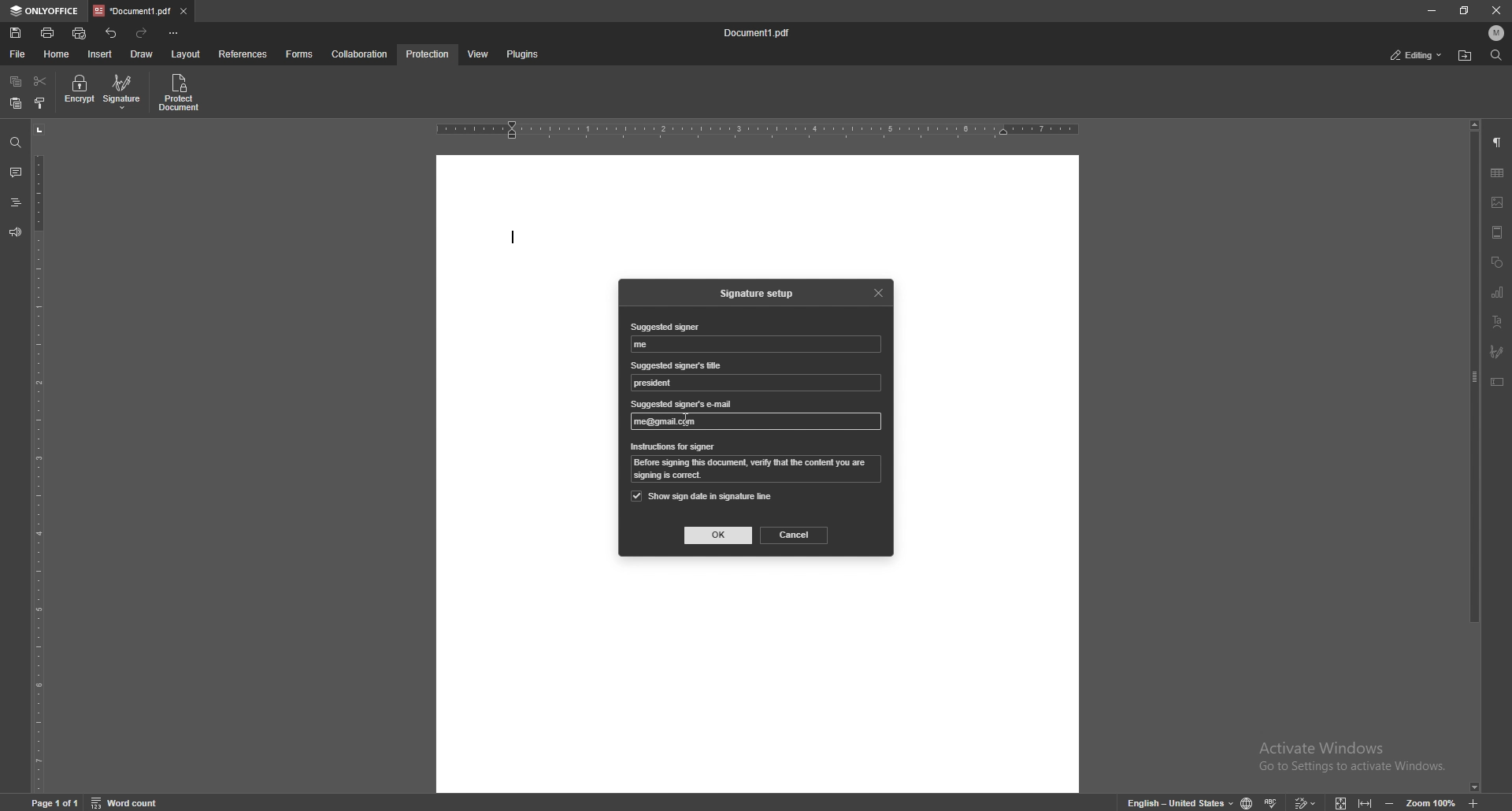 This screenshot has width=1512, height=811. What do you see at coordinates (49, 32) in the screenshot?
I see `print` at bounding box center [49, 32].